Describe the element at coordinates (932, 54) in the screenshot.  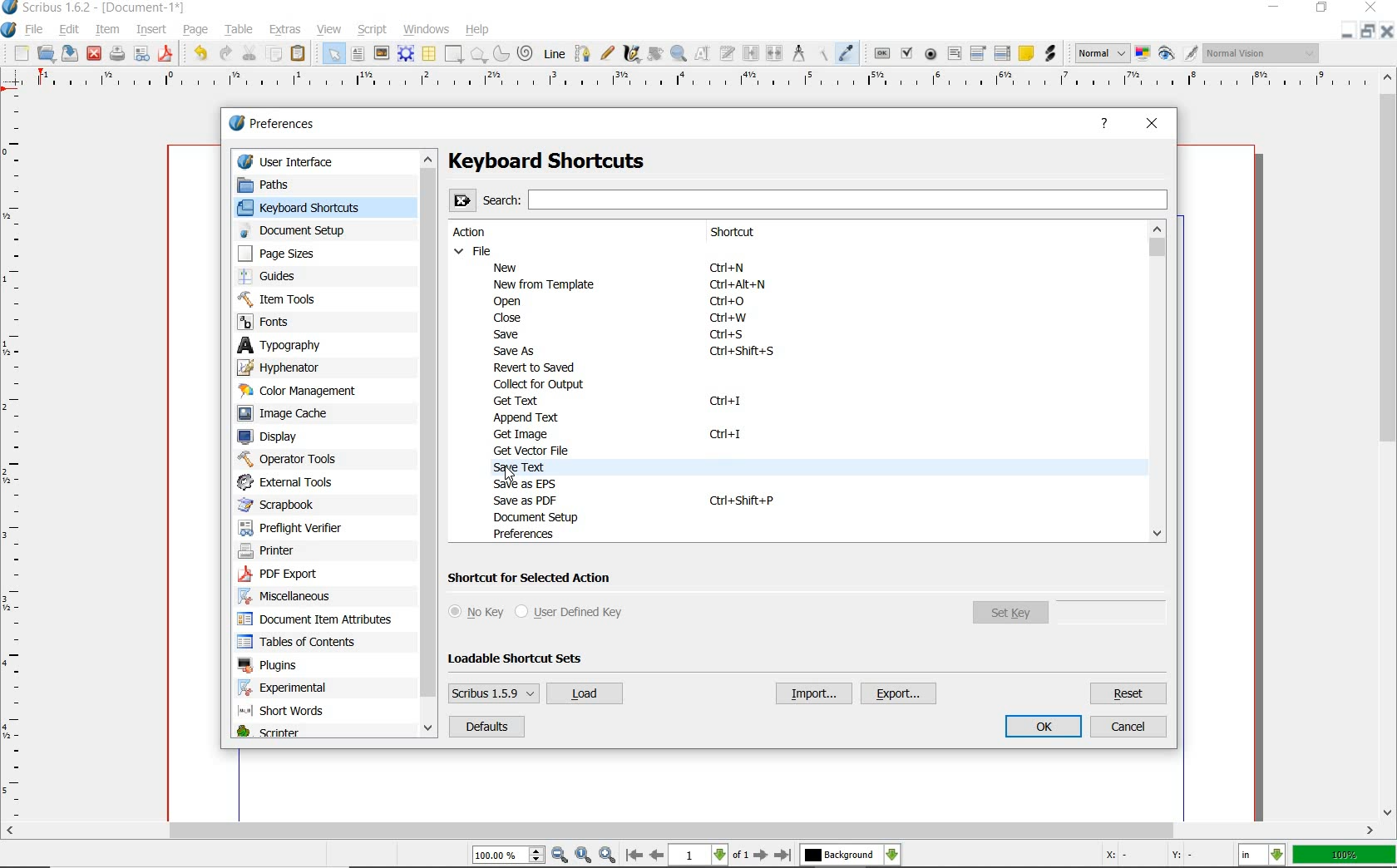
I see `pdf radio button` at that location.